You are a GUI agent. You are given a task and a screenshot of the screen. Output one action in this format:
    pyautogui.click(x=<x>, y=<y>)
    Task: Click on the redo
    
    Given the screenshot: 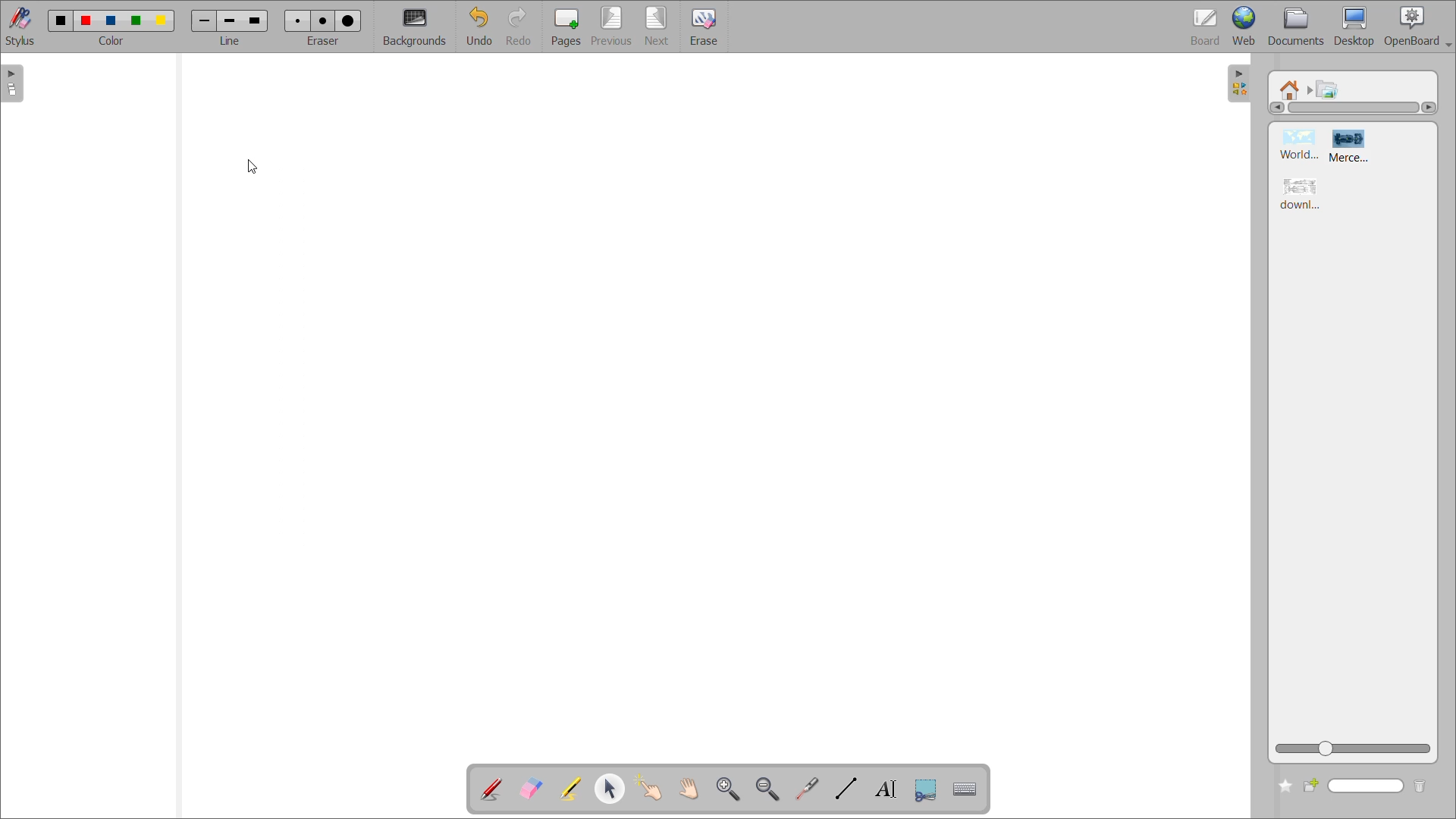 What is the action you would take?
    pyautogui.click(x=519, y=25)
    